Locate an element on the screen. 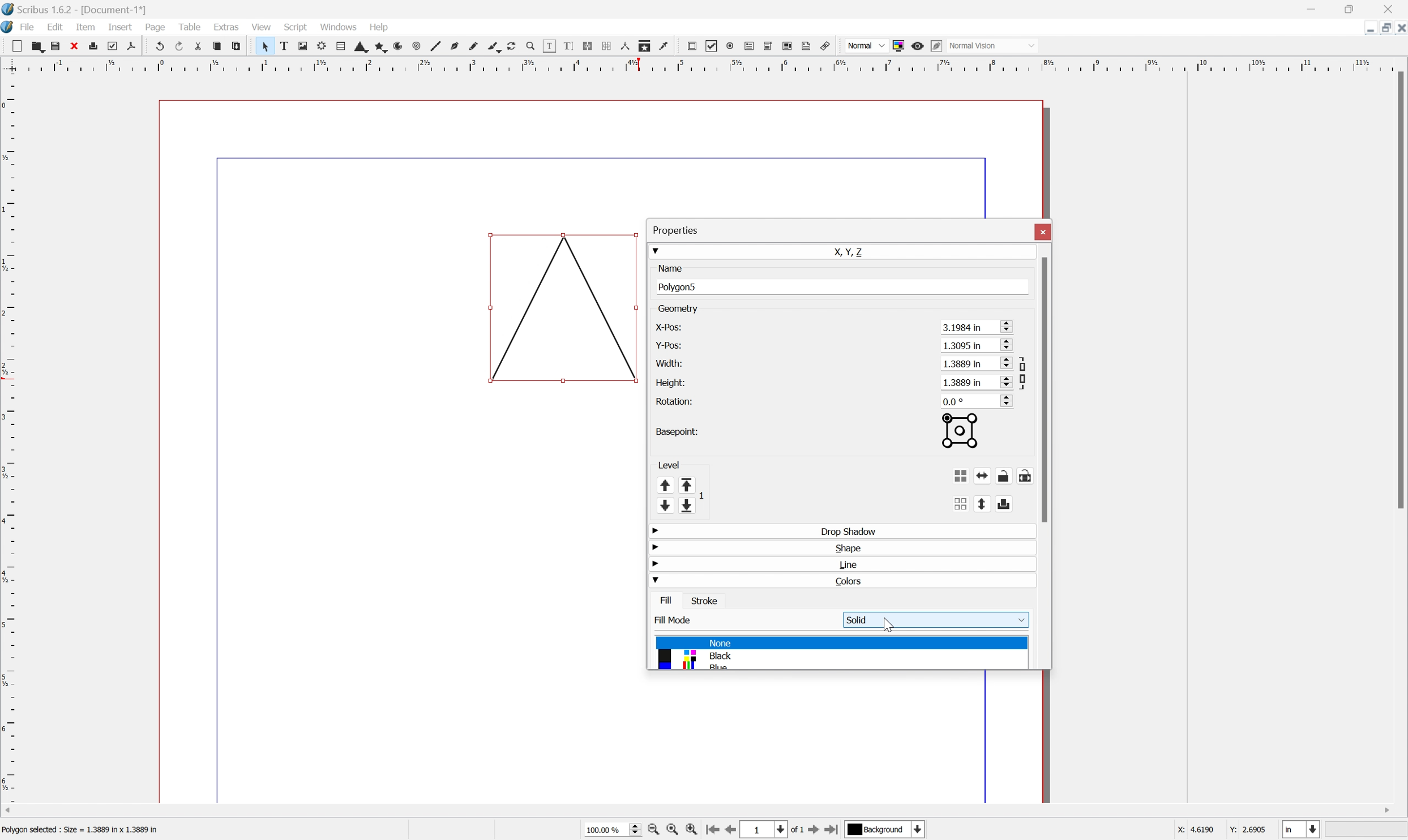 The height and width of the screenshot is (840, 1408). File is located at coordinates (27, 26).